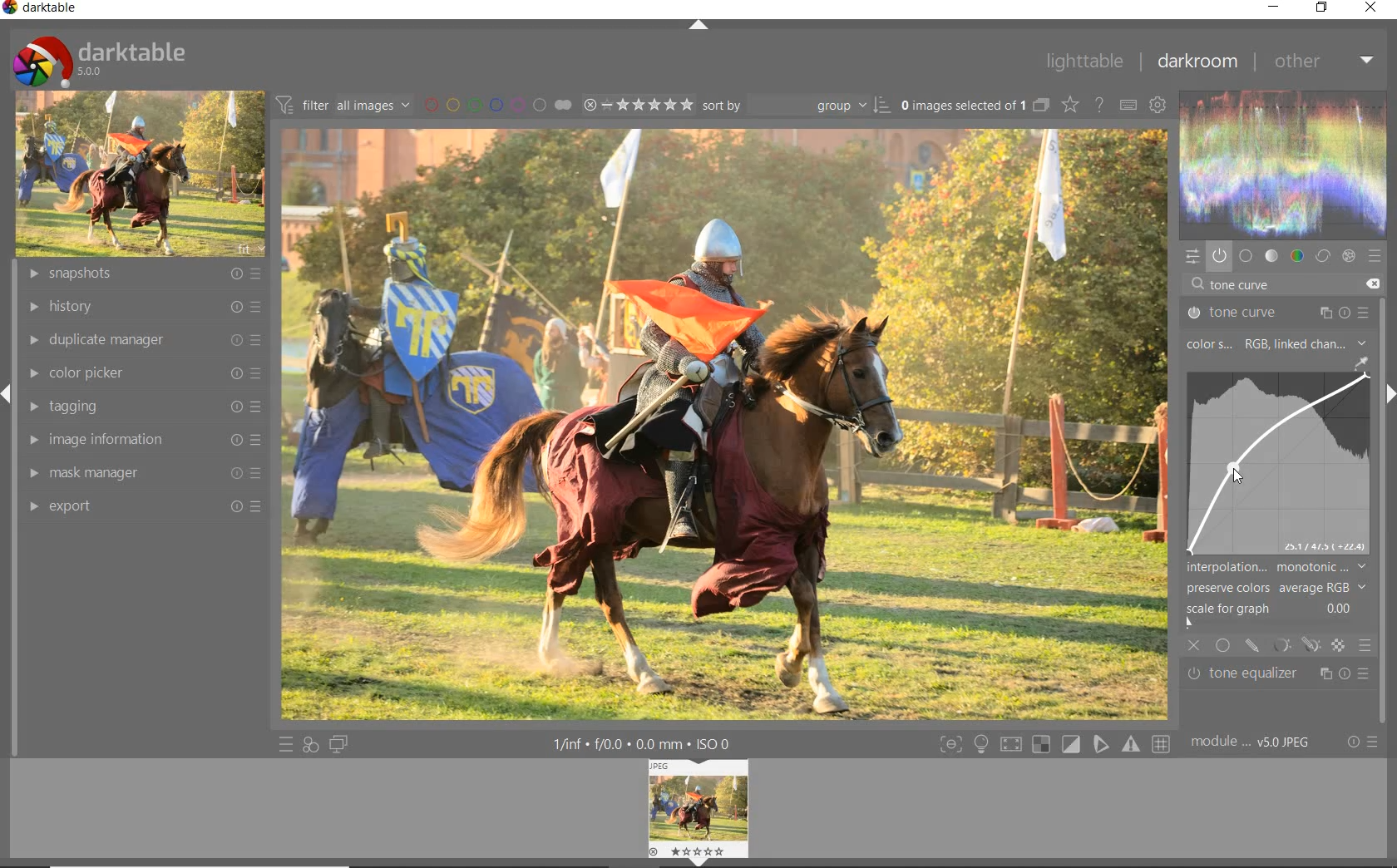 This screenshot has width=1397, height=868. Describe the element at coordinates (98, 57) in the screenshot. I see `darktable` at that location.